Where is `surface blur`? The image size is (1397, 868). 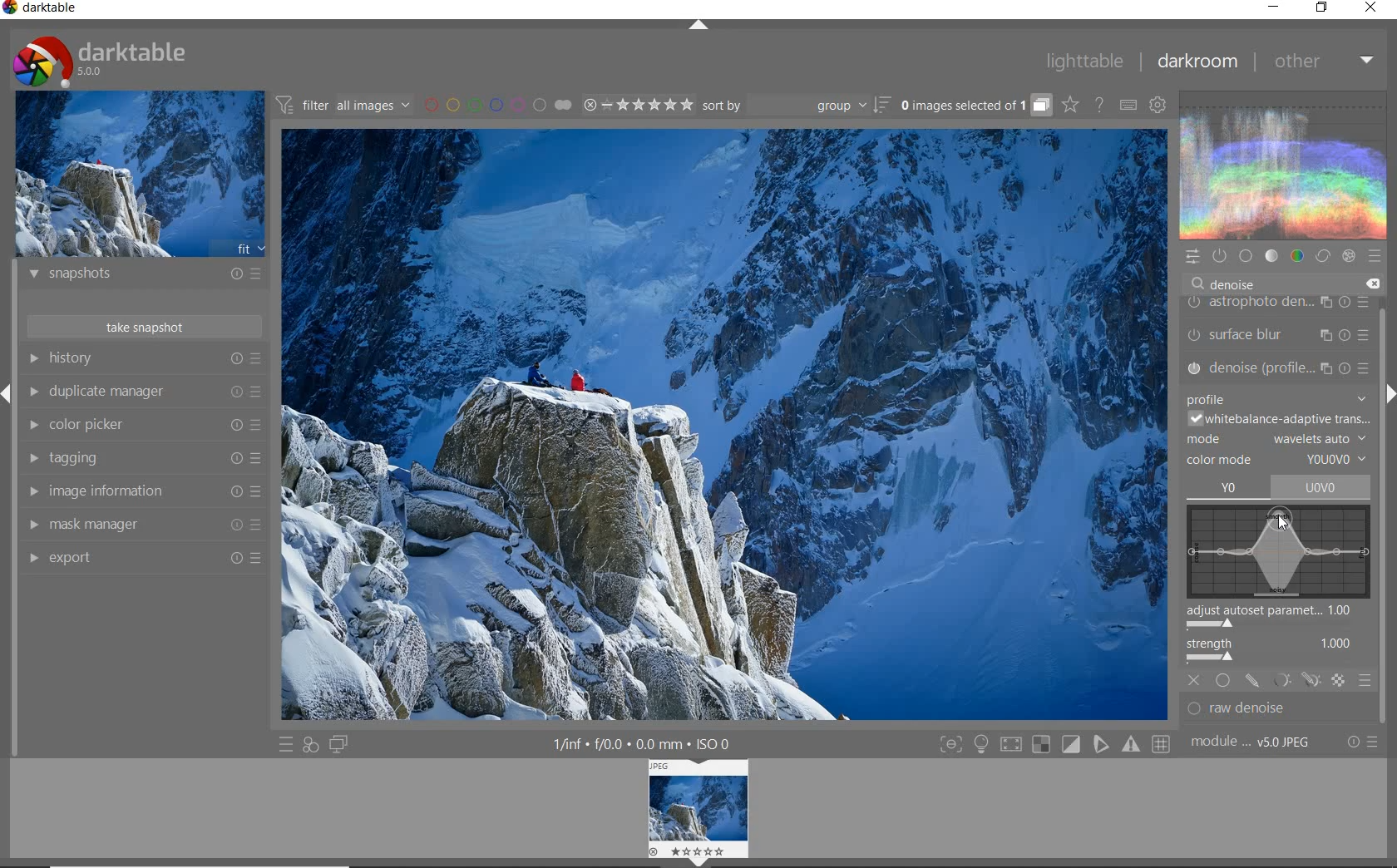
surface blur is located at coordinates (1281, 336).